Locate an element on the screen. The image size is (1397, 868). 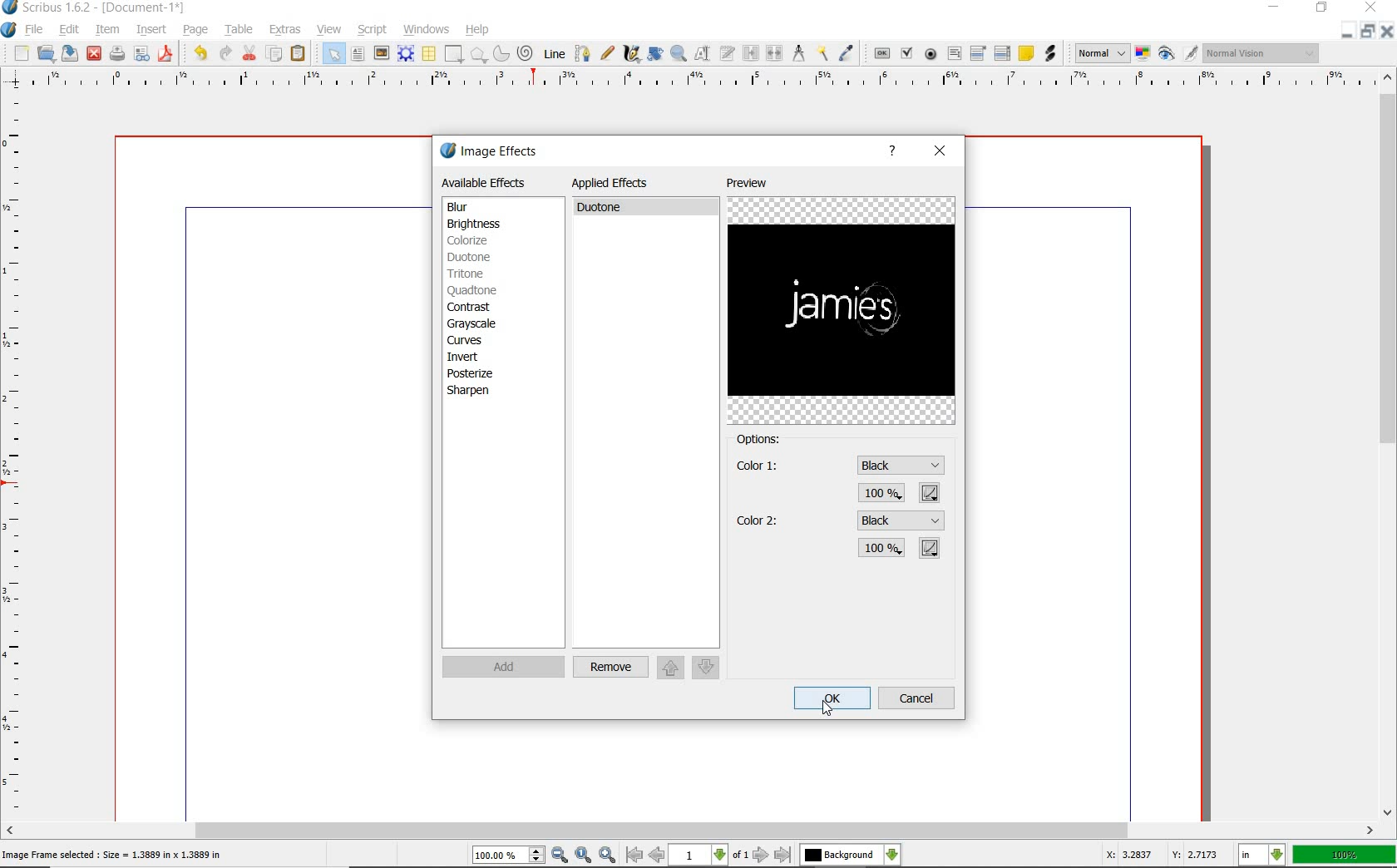
applied effects is located at coordinates (617, 183).